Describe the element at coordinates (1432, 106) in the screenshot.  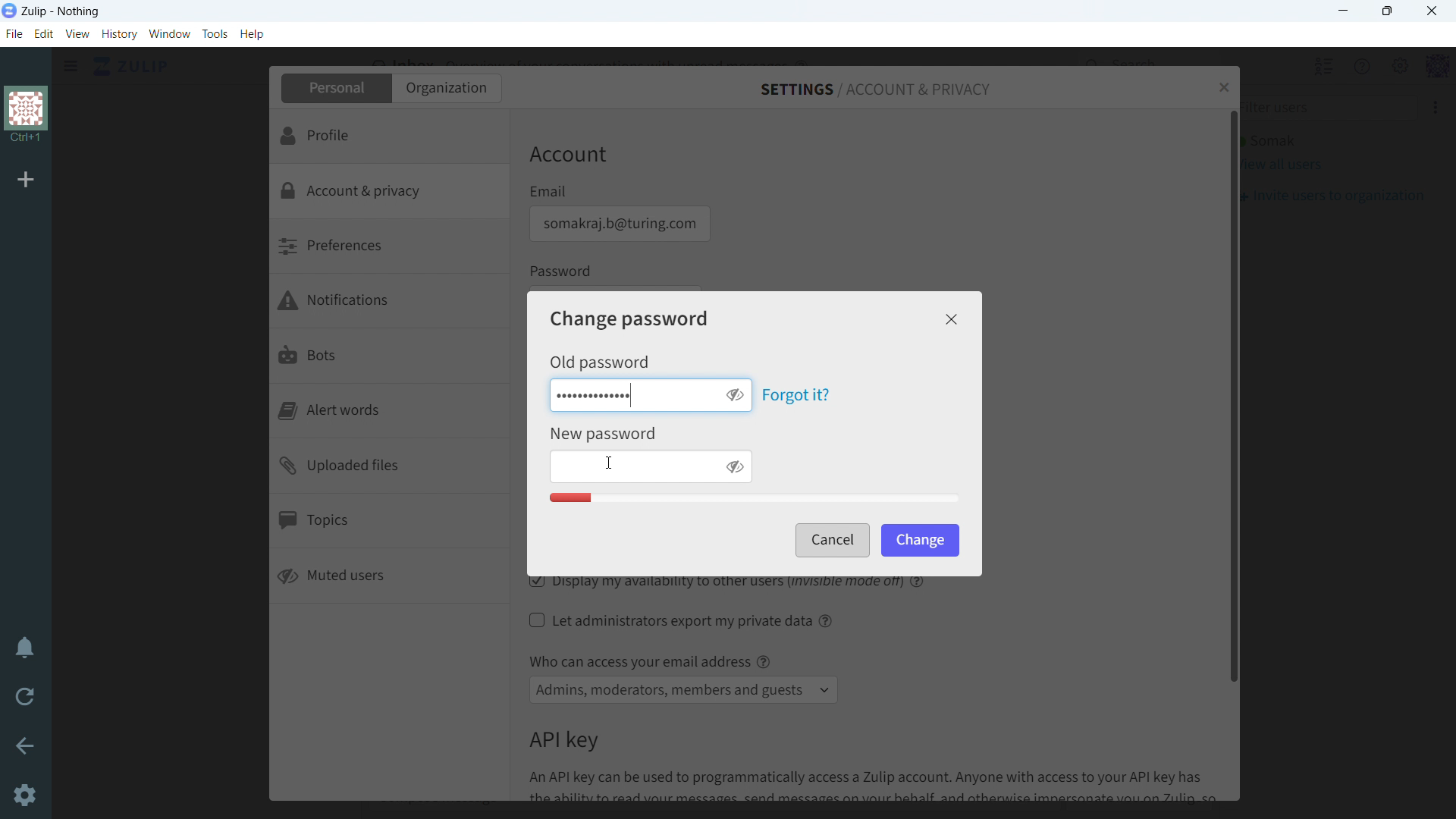
I see `More` at that location.